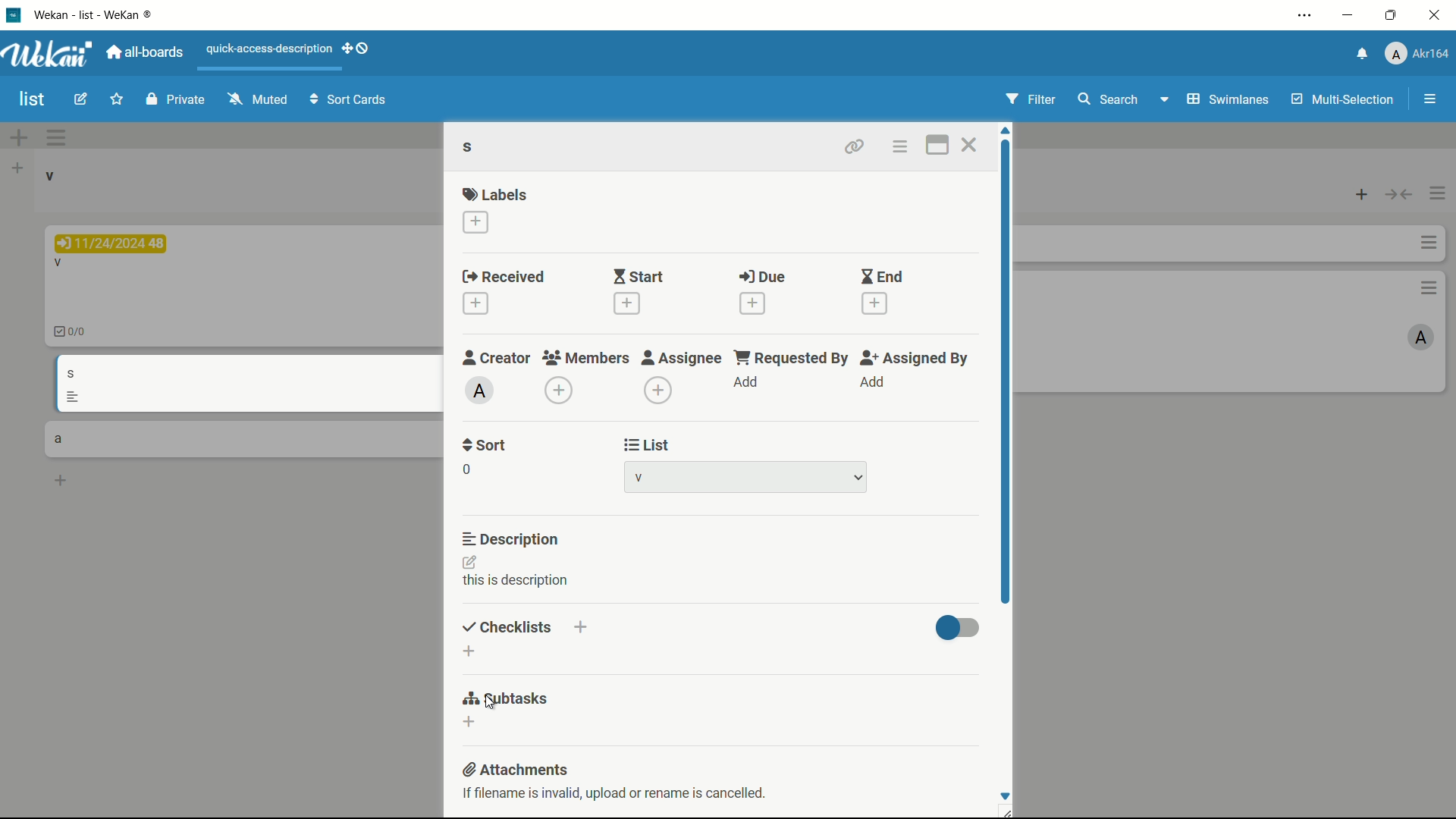 This screenshot has height=819, width=1456. I want to click on list, so click(645, 444).